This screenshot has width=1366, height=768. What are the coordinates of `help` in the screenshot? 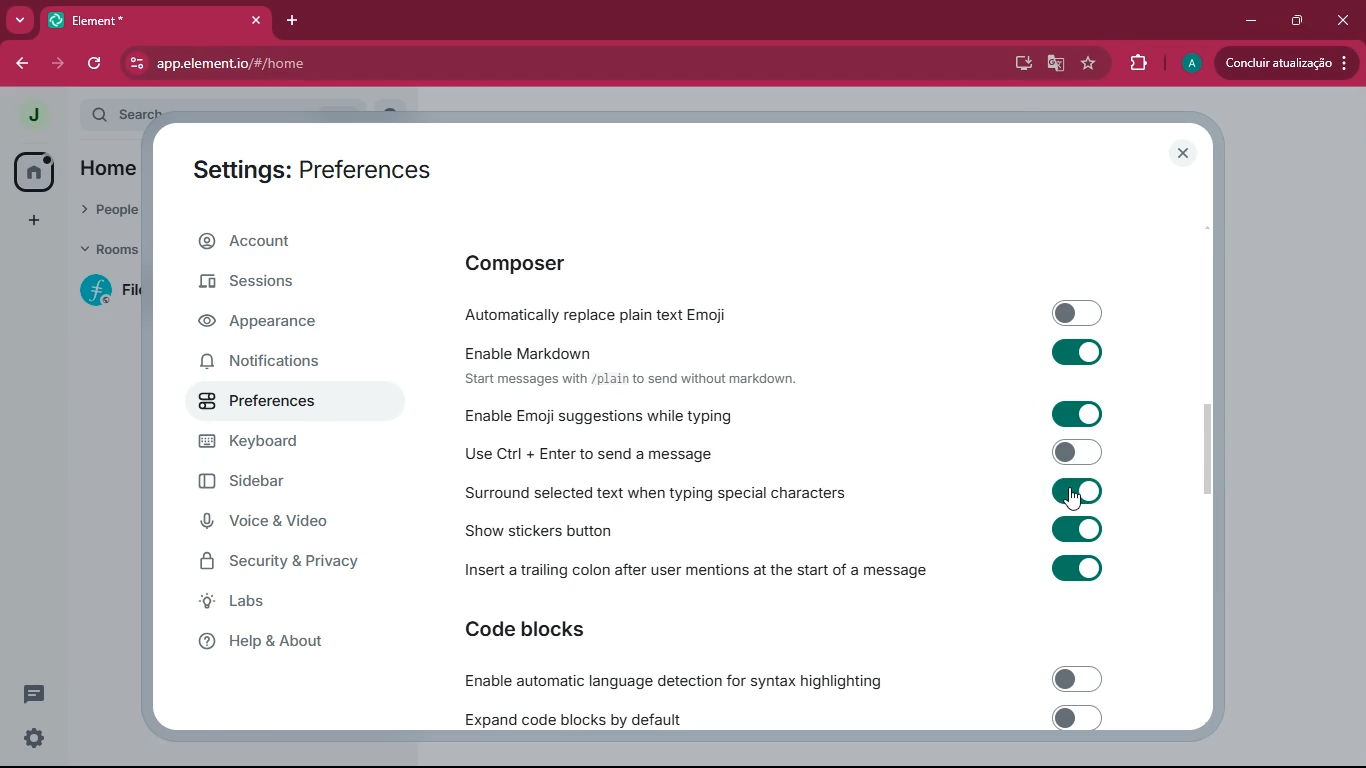 It's located at (288, 643).